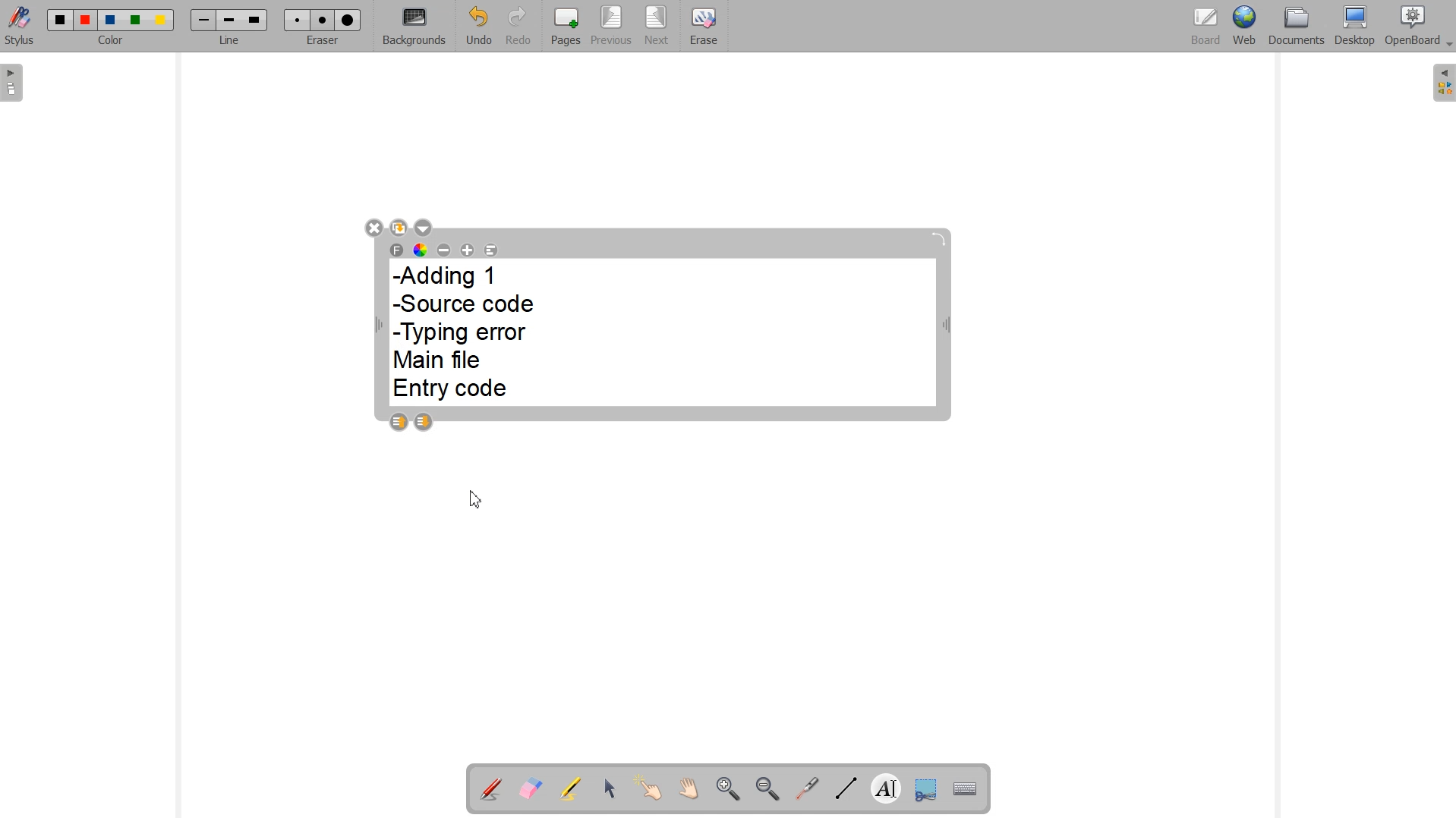 The width and height of the screenshot is (1456, 818). What do you see at coordinates (468, 334) in the screenshot?
I see `-Adding 1 -Source code -Typing error Main file Entry code` at bounding box center [468, 334].